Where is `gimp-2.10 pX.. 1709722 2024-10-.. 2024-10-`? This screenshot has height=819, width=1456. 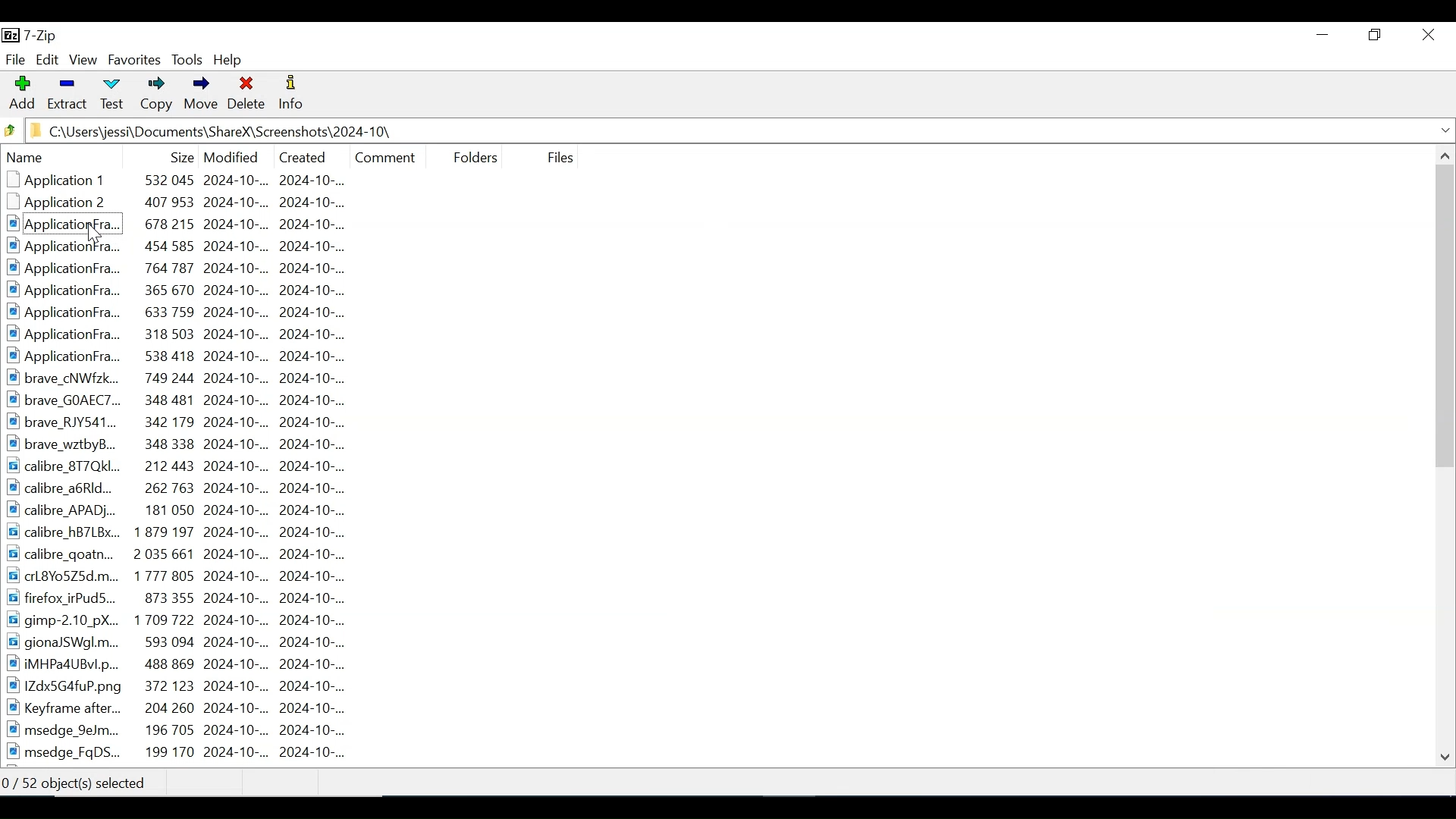 gimp-2.10 pX.. 1709722 2024-10-.. 2024-10- is located at coordinates (177, 620).